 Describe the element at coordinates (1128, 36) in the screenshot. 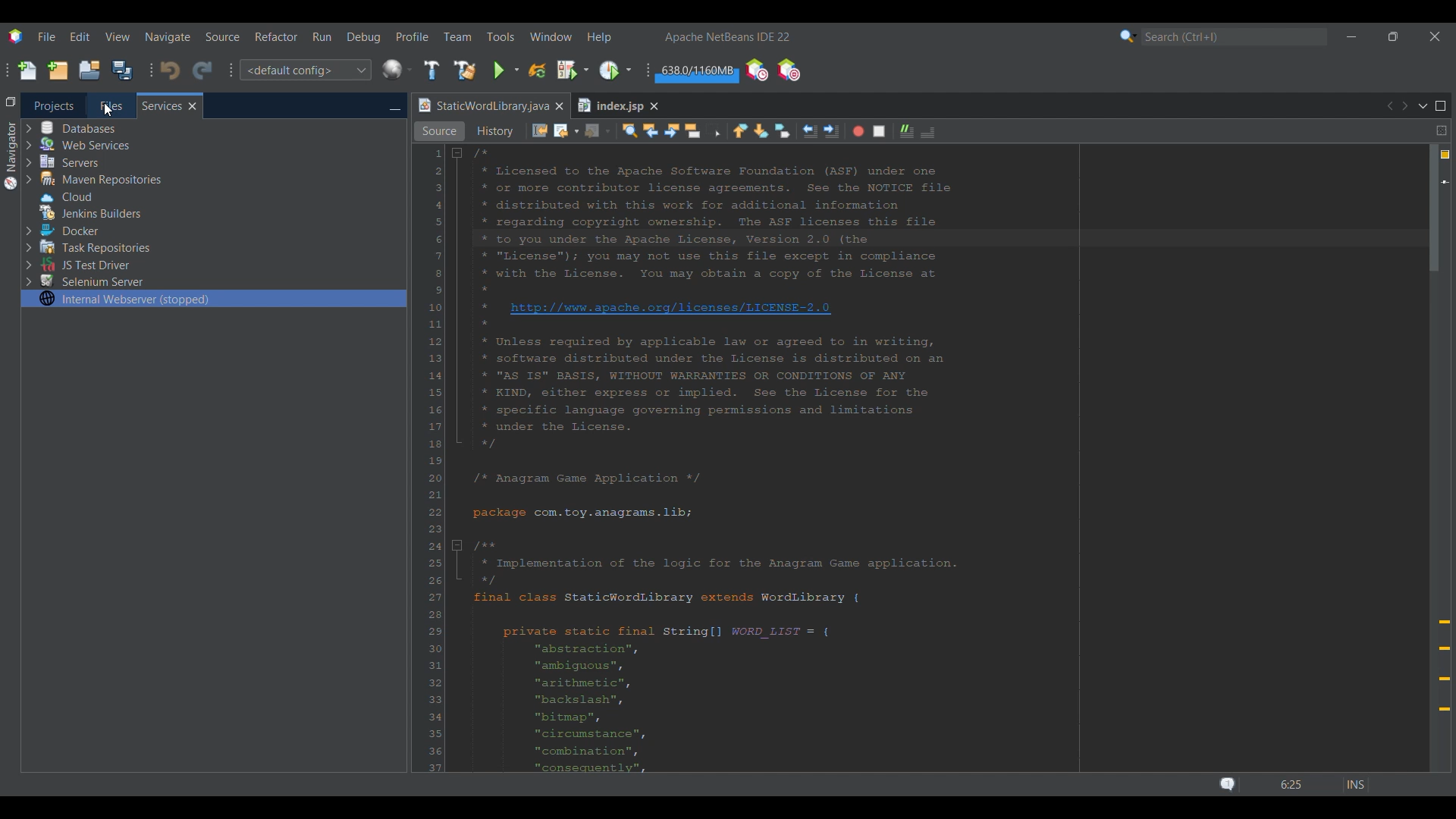

I see `Search category selection` at that location.